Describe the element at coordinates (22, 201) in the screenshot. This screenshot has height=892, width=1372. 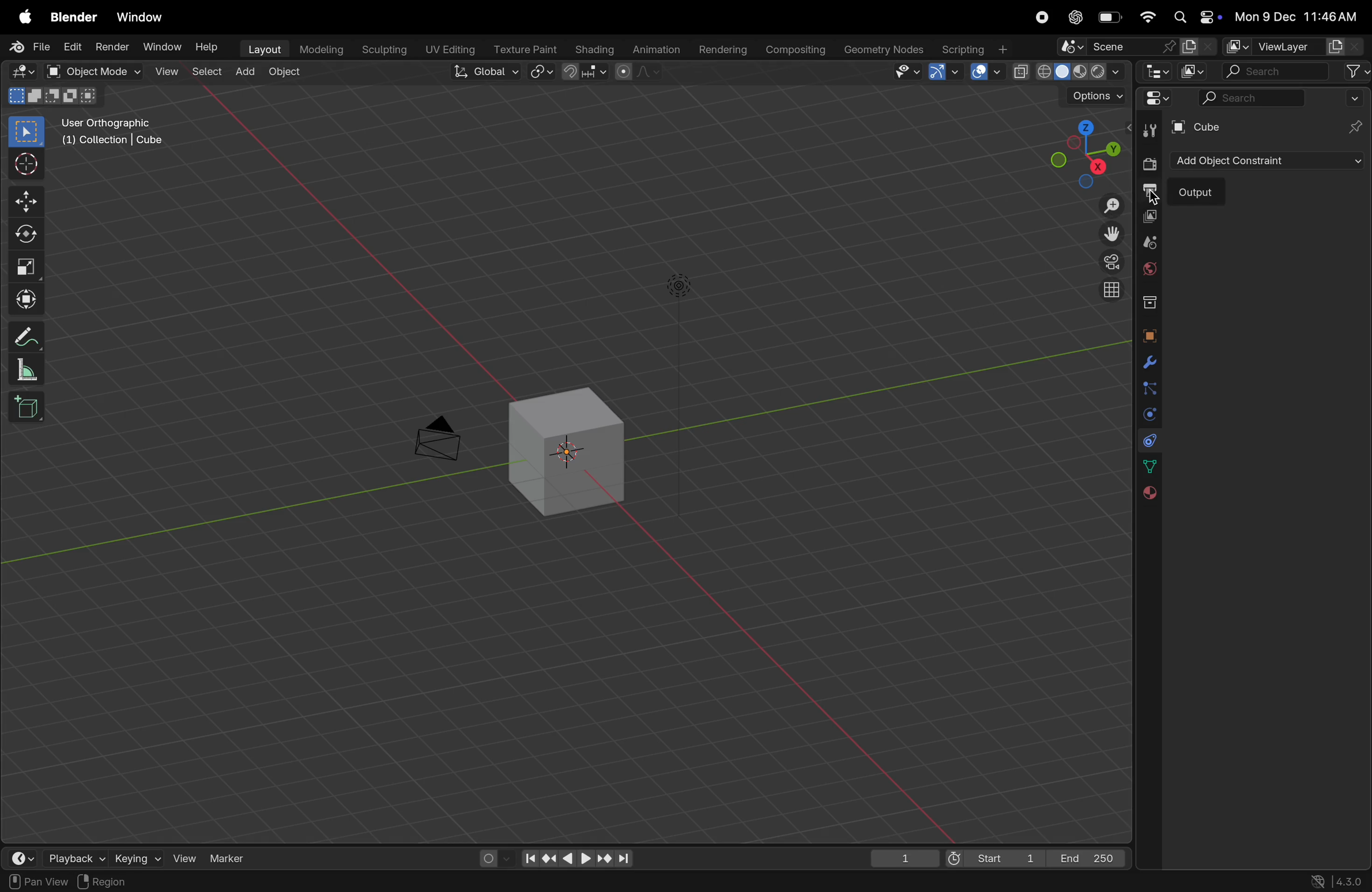
I see `move` at that location.